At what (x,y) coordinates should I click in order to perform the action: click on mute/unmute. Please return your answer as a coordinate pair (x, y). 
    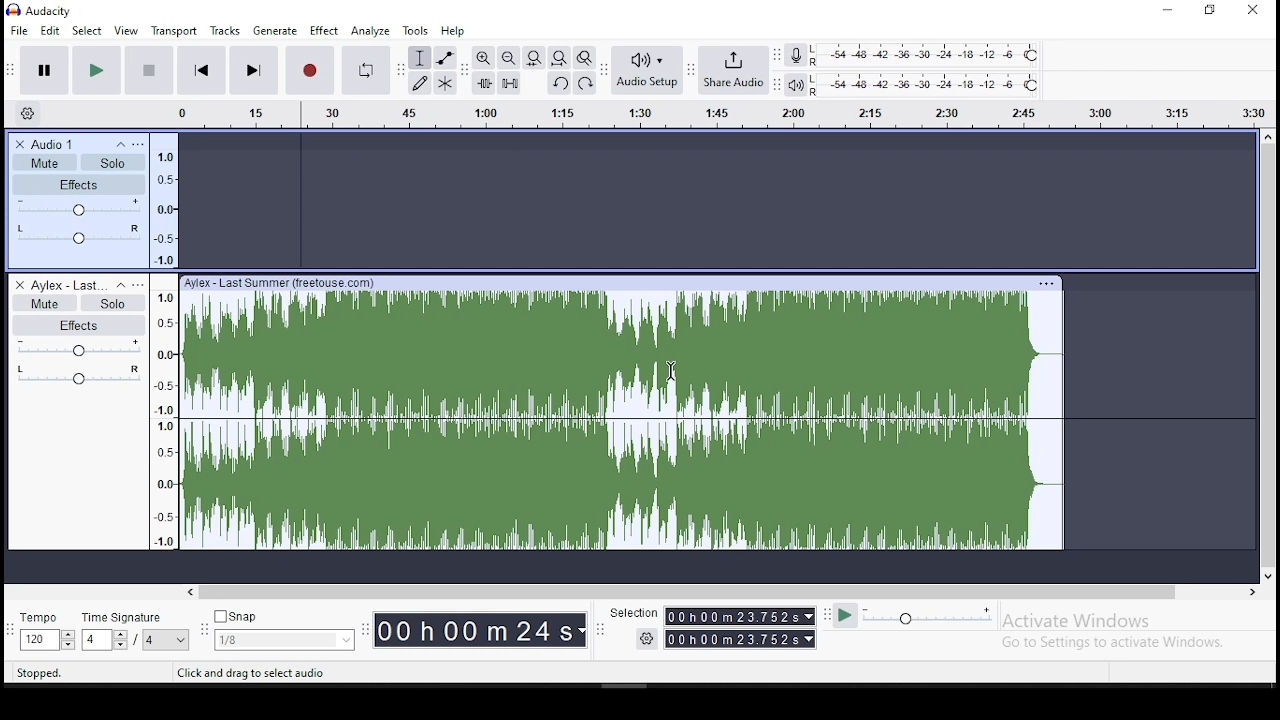
    Looking at the image, I should click on (46, 302).